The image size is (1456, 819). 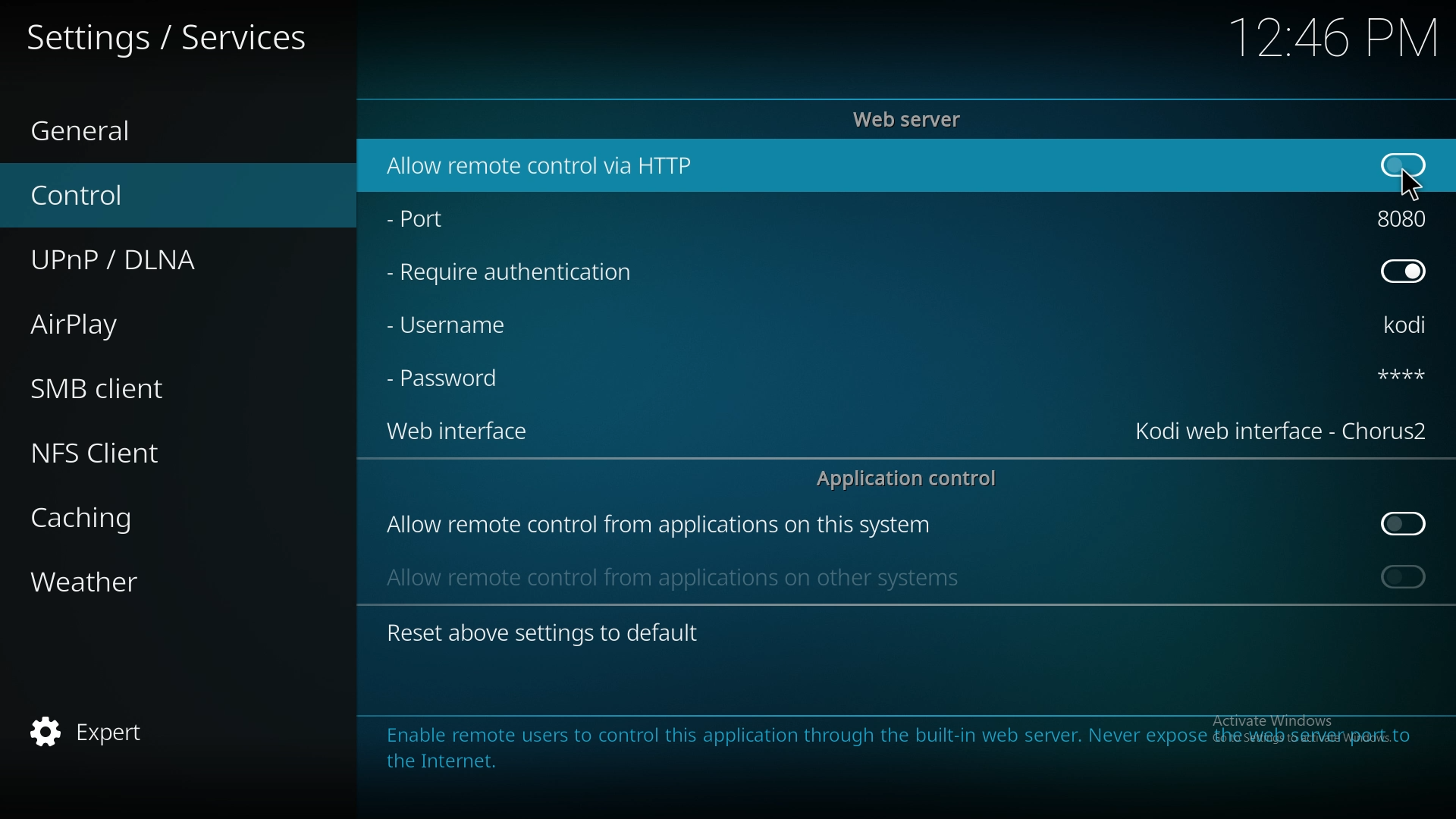 What do you see at coordinates (658, 526) in the screenshot?
I see `allow remote control` at bounding box center [658, 526].